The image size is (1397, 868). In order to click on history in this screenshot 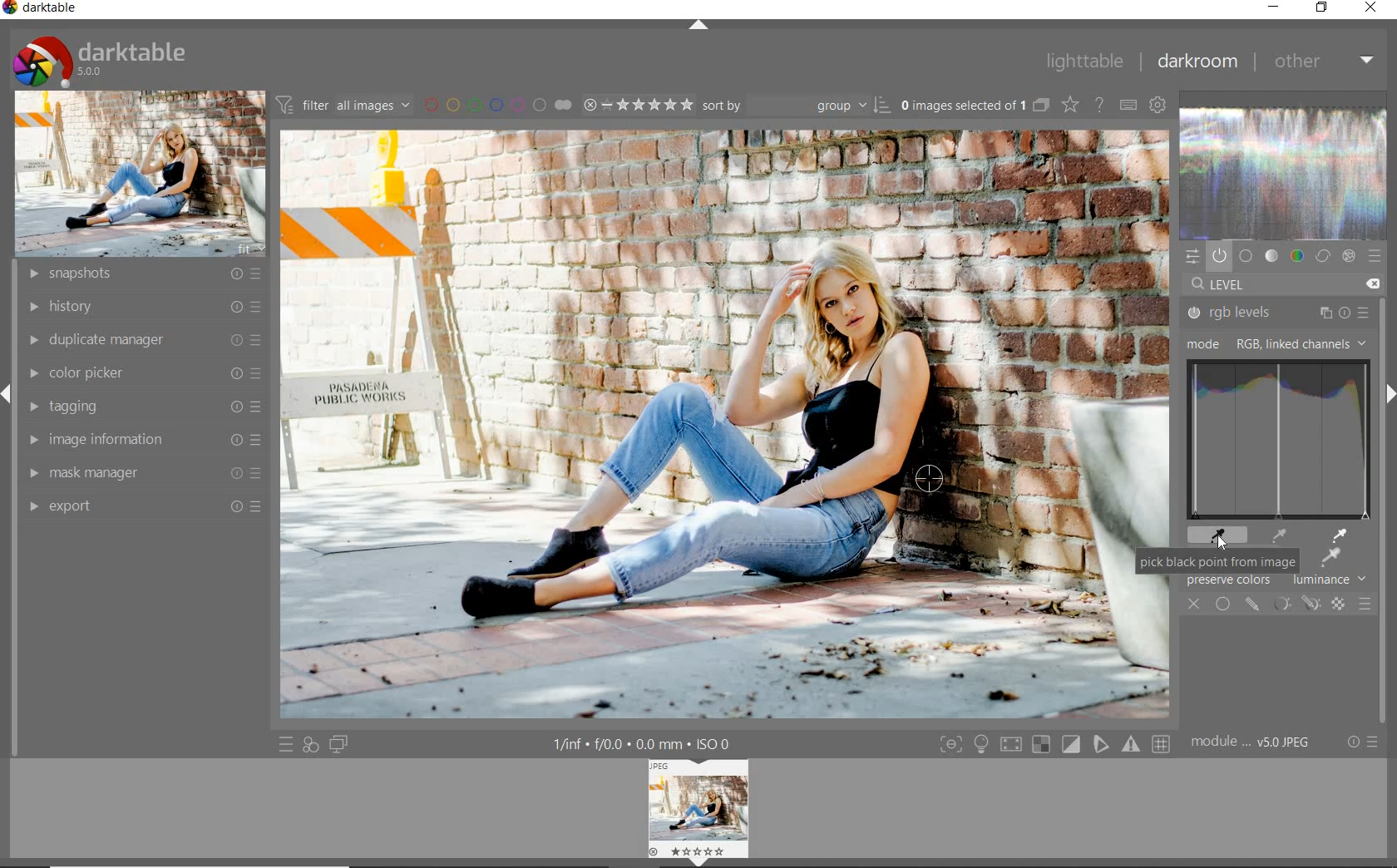, I will do `click(142, 308)`.